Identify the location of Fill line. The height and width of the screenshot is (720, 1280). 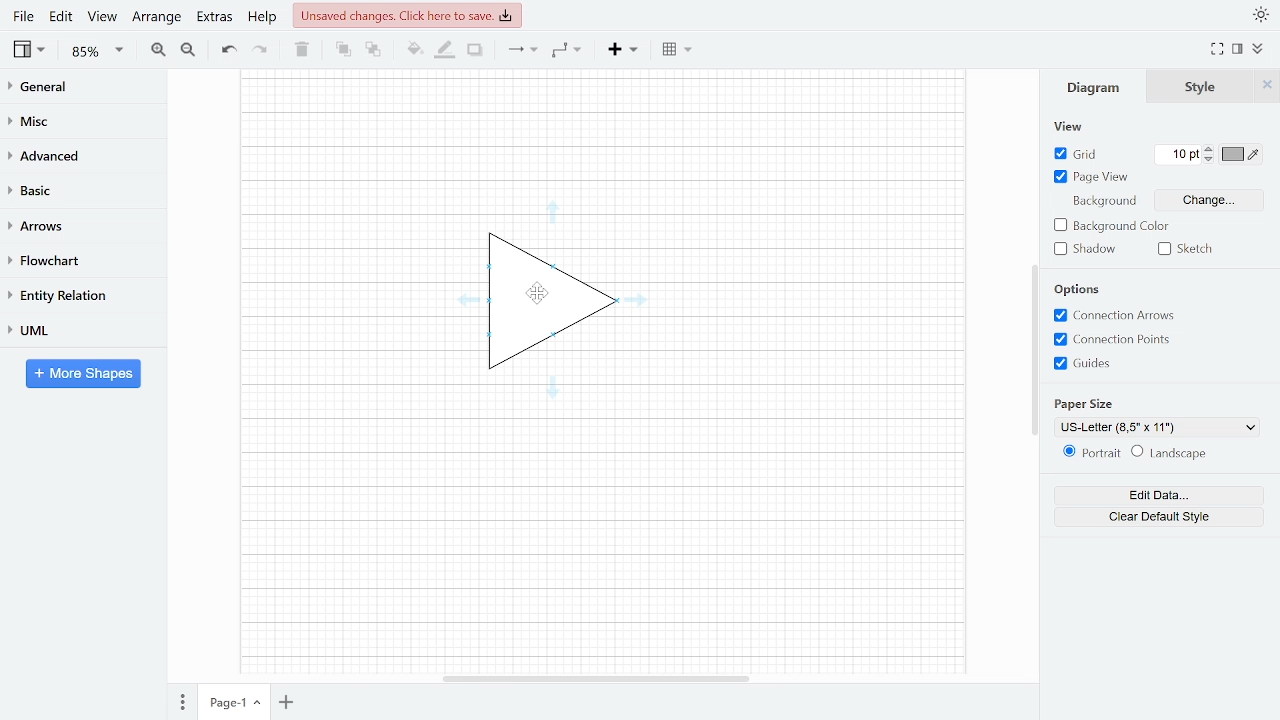
(444, 50).